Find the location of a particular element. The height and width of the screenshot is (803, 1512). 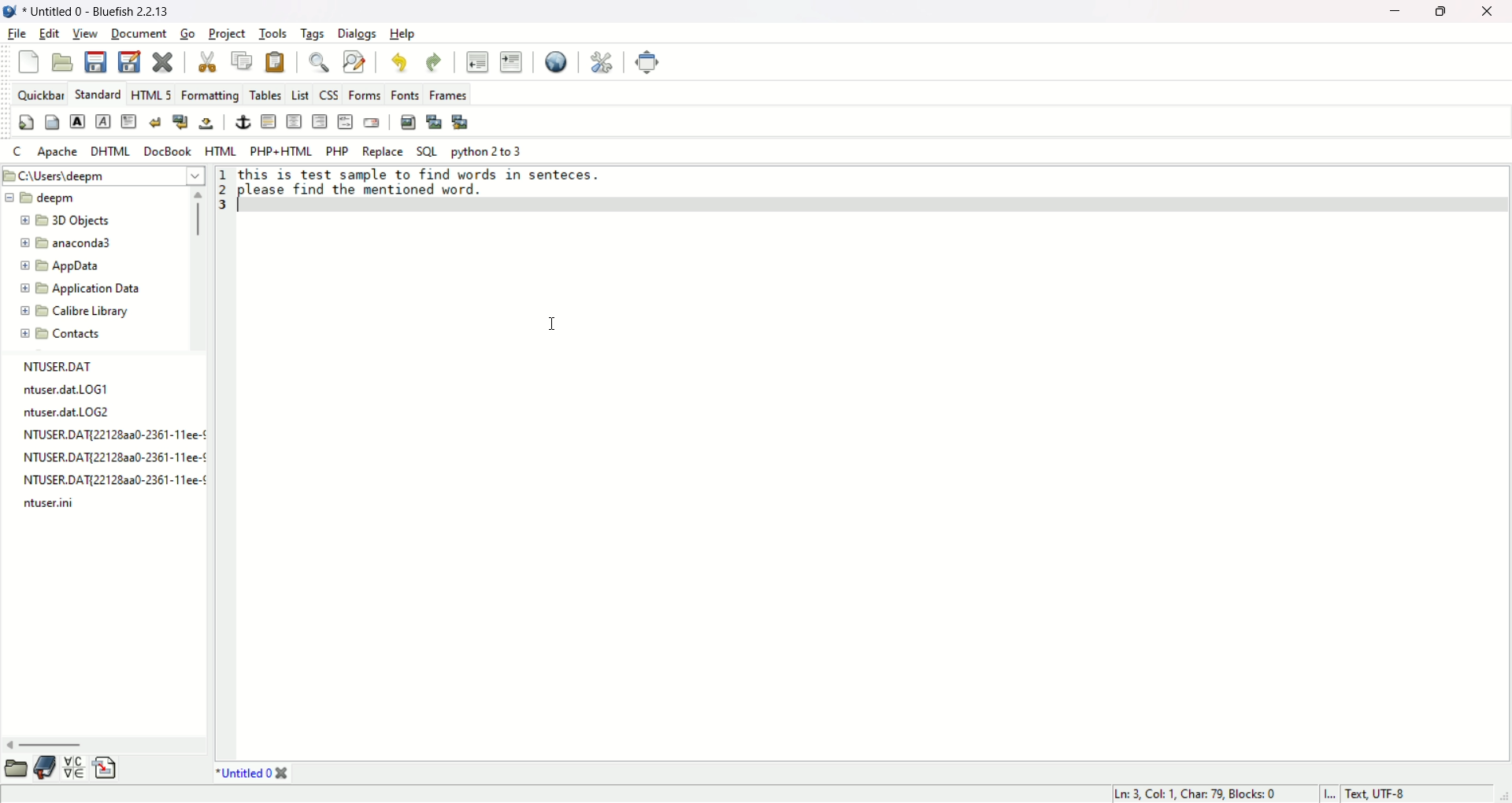

contacts is located at coordinates (60, 335).